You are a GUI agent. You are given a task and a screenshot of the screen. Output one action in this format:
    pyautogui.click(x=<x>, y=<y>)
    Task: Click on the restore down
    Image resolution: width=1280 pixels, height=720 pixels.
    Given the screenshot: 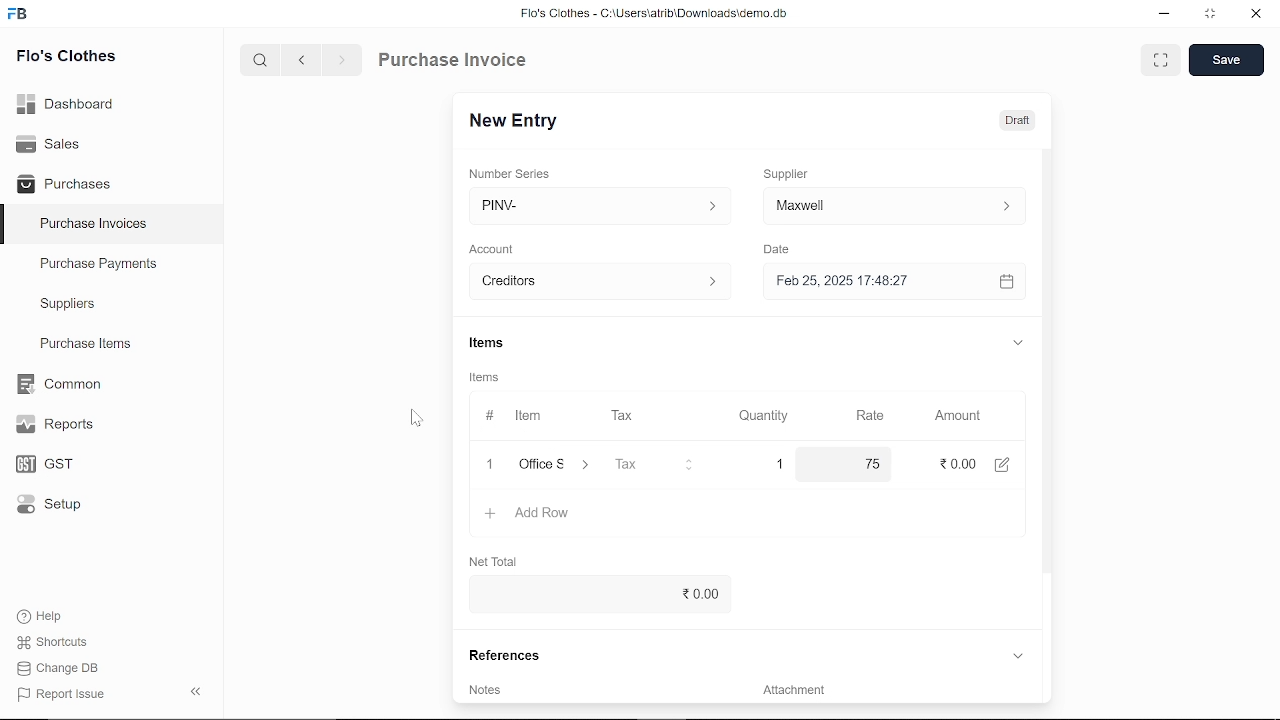 What is the action you would take?
    pyautogui.click(x=1214, y=15)
    